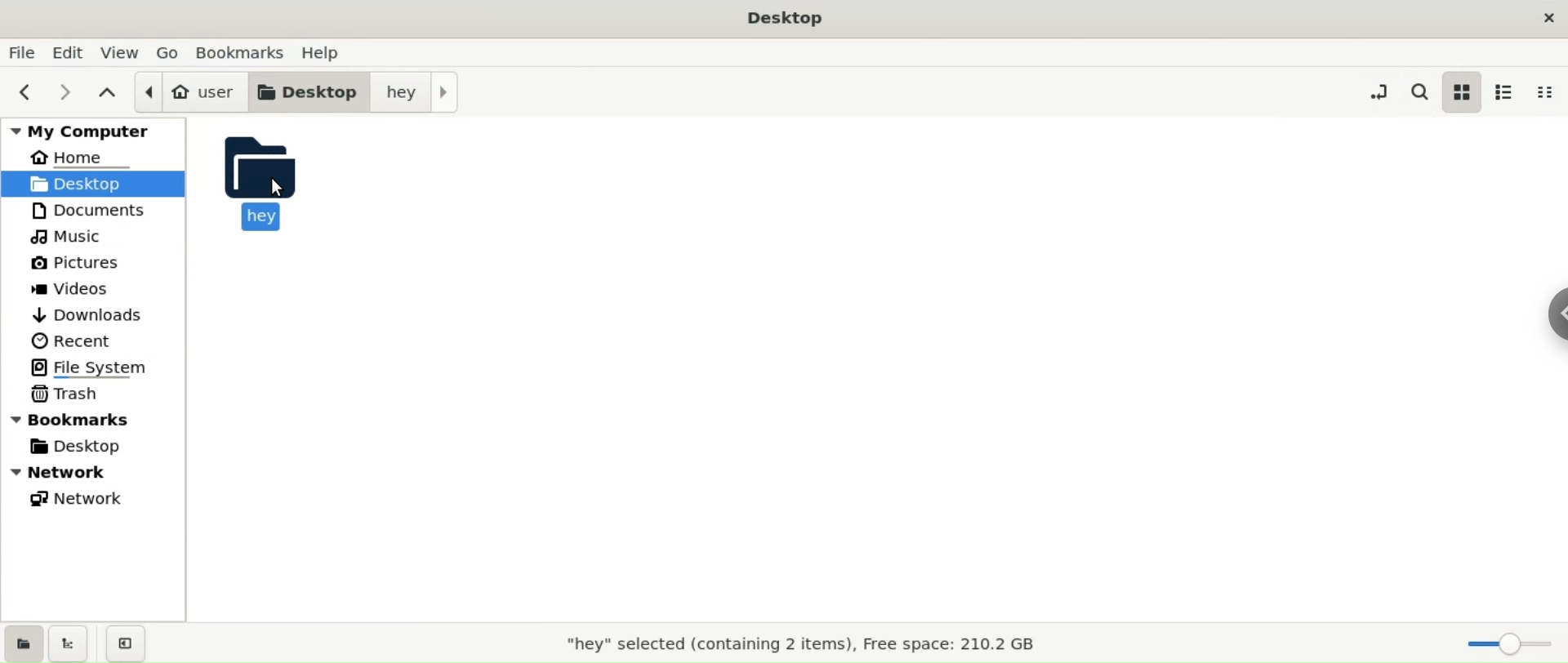 This screenshot has width=1568, height=663. Describe the element at coordinates (172, 51) in the screenshot. I see `go` at that location.